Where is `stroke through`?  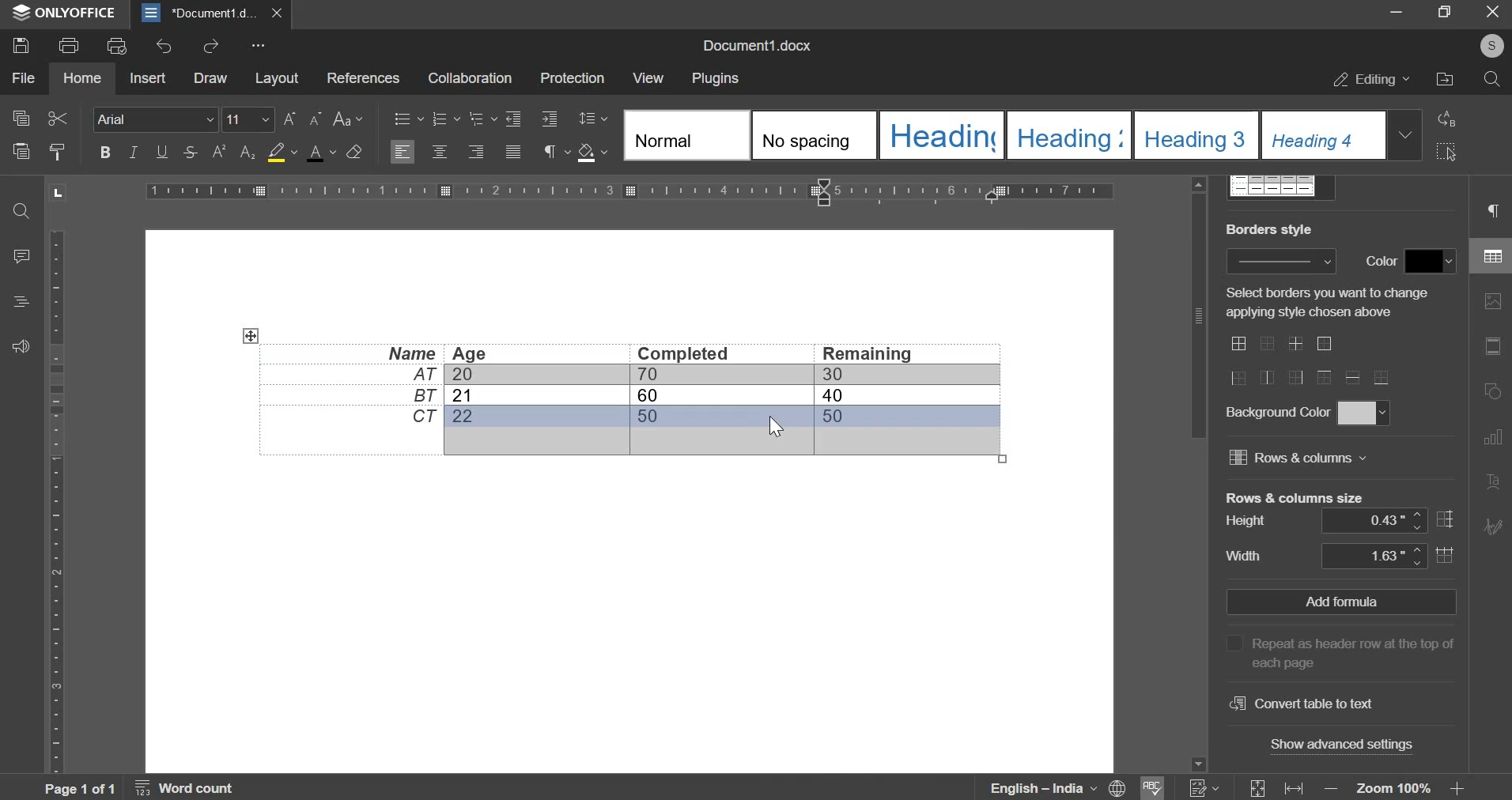
stroke through is located at coordinates (188, 152).